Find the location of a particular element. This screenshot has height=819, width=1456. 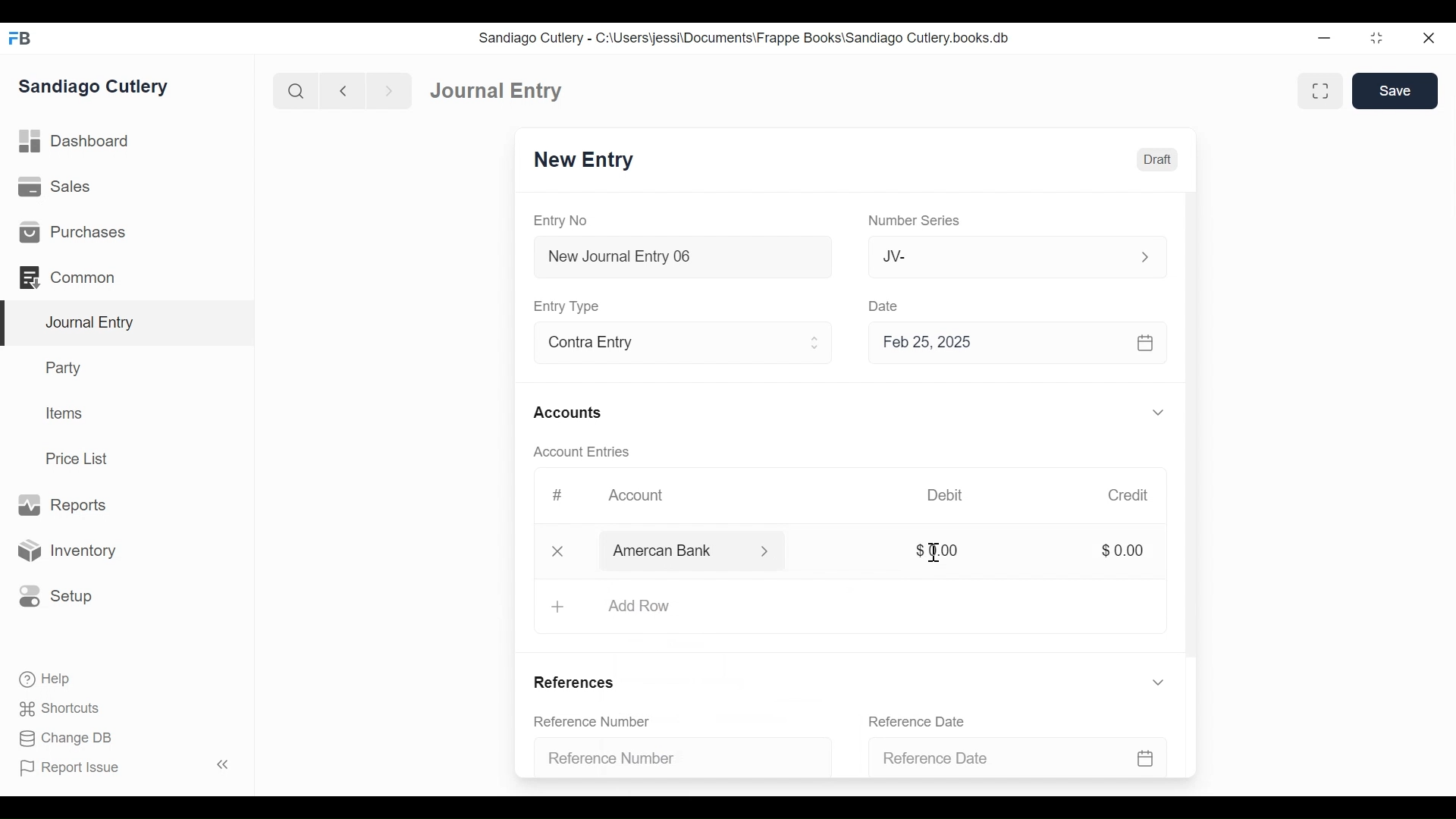

Reference Number is located at coordinates (676, 755).